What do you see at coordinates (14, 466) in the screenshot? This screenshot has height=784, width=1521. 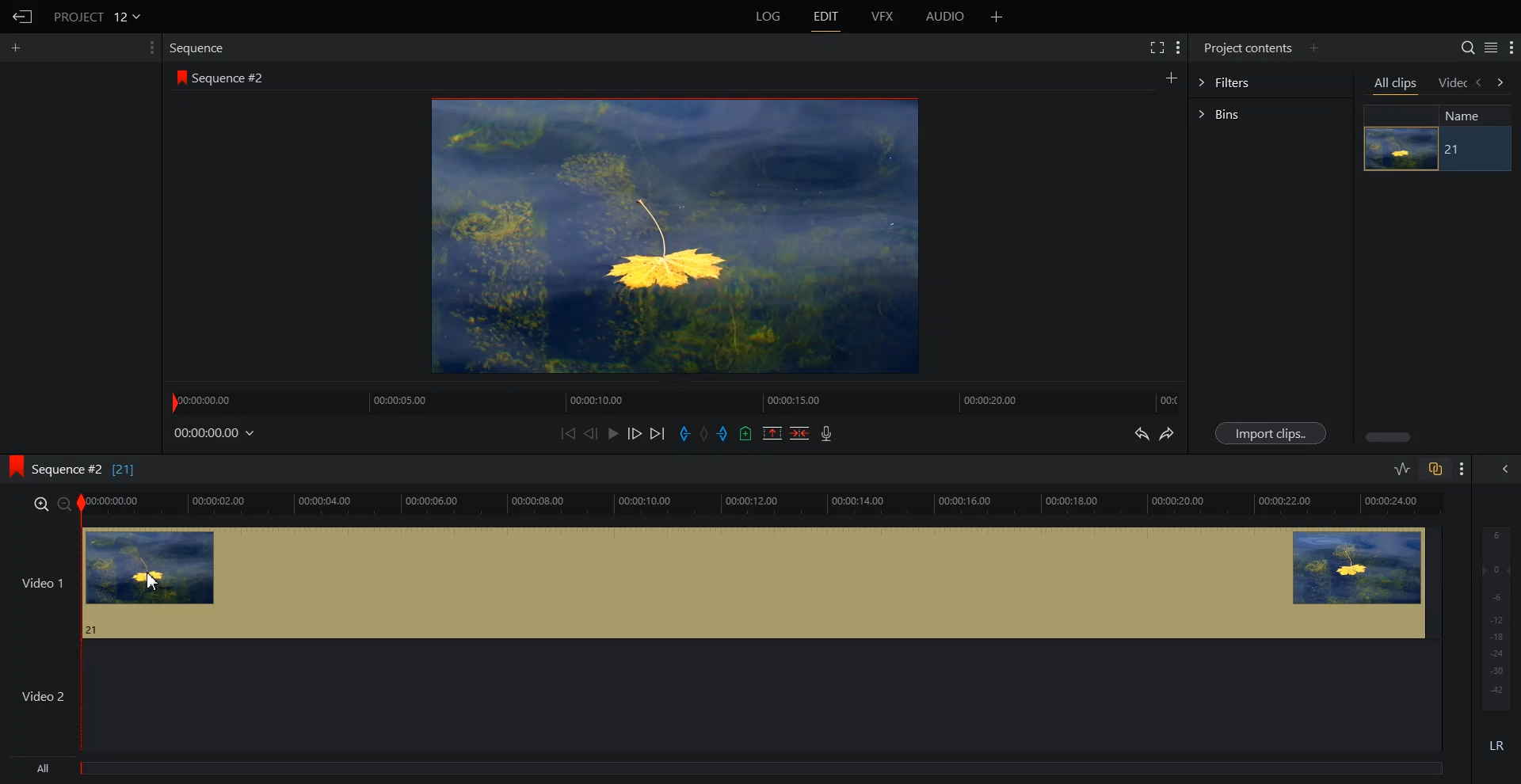 I see `icon` at bounding box center [14, 466].